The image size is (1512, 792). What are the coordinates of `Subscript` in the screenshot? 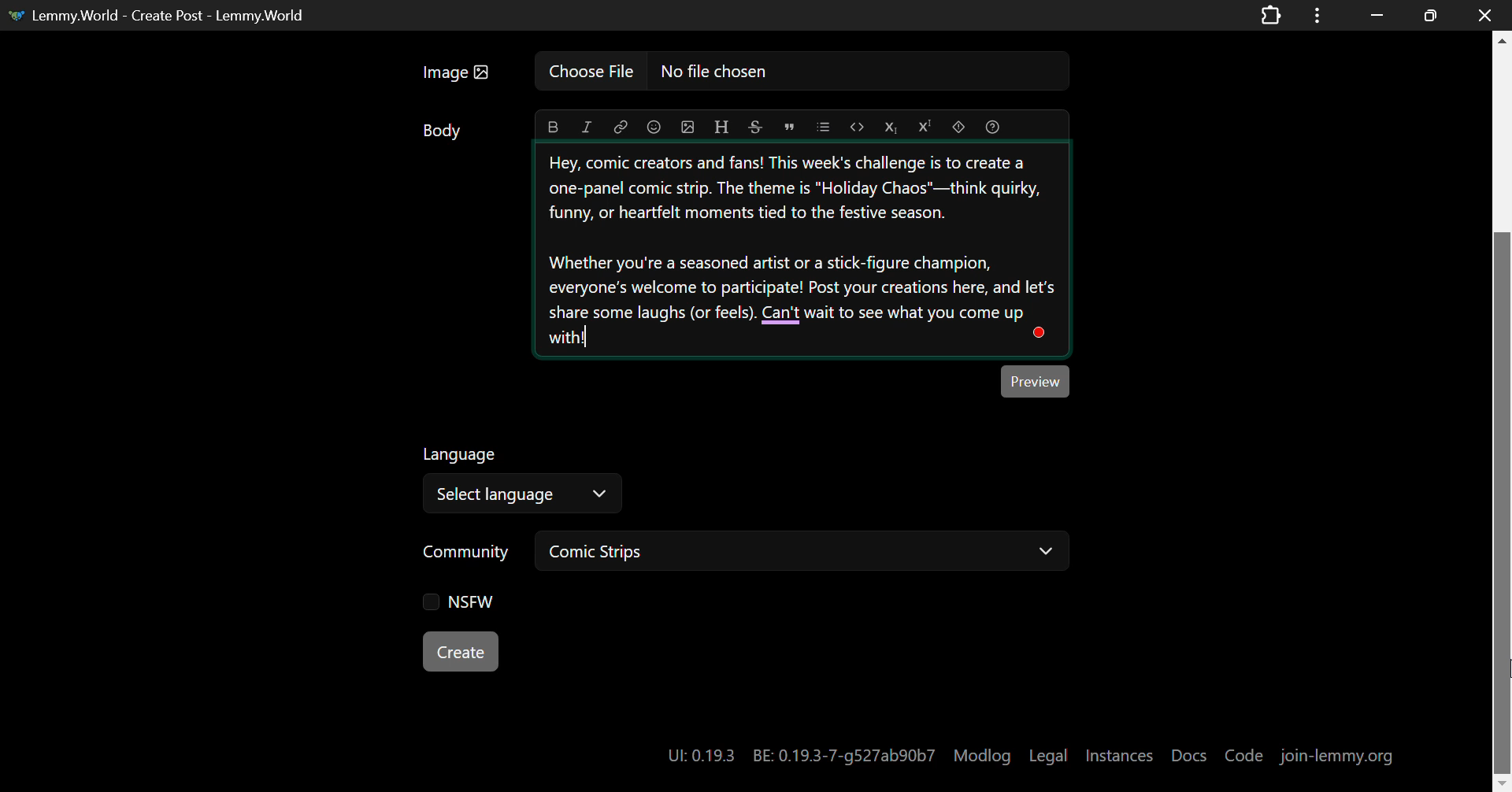 It's located at (889, 127).